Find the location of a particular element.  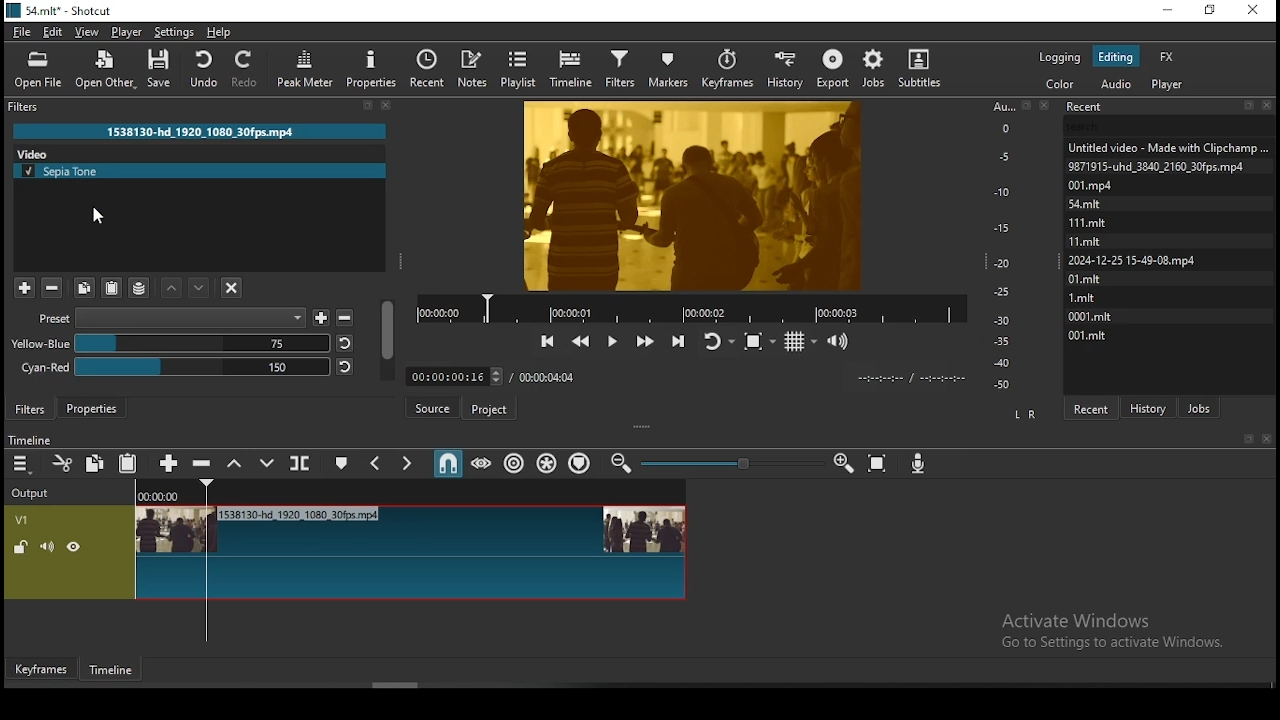

L R is located at coordinates (1027, 414).